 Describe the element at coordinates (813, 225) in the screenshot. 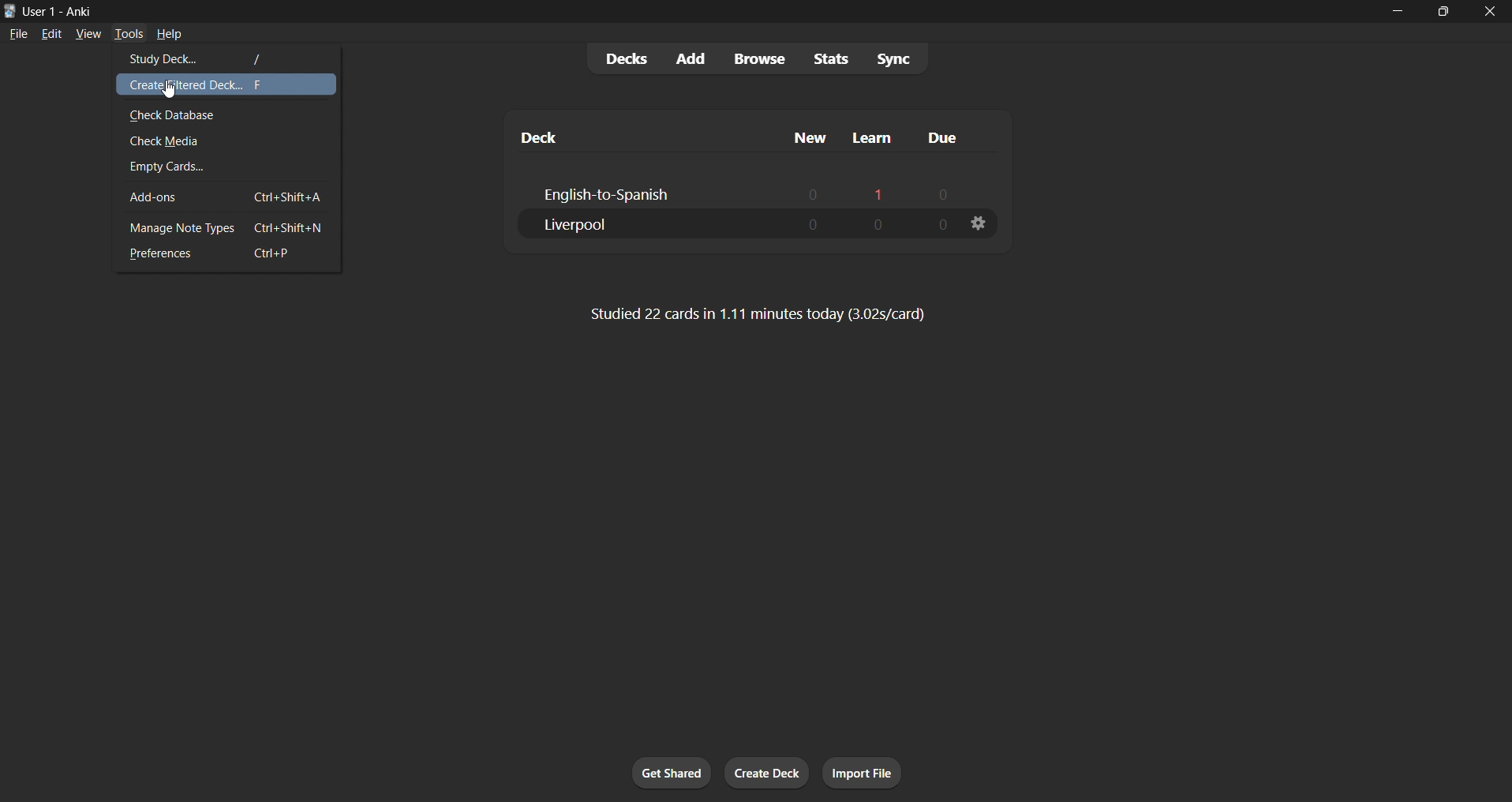

I see `0` at that location.